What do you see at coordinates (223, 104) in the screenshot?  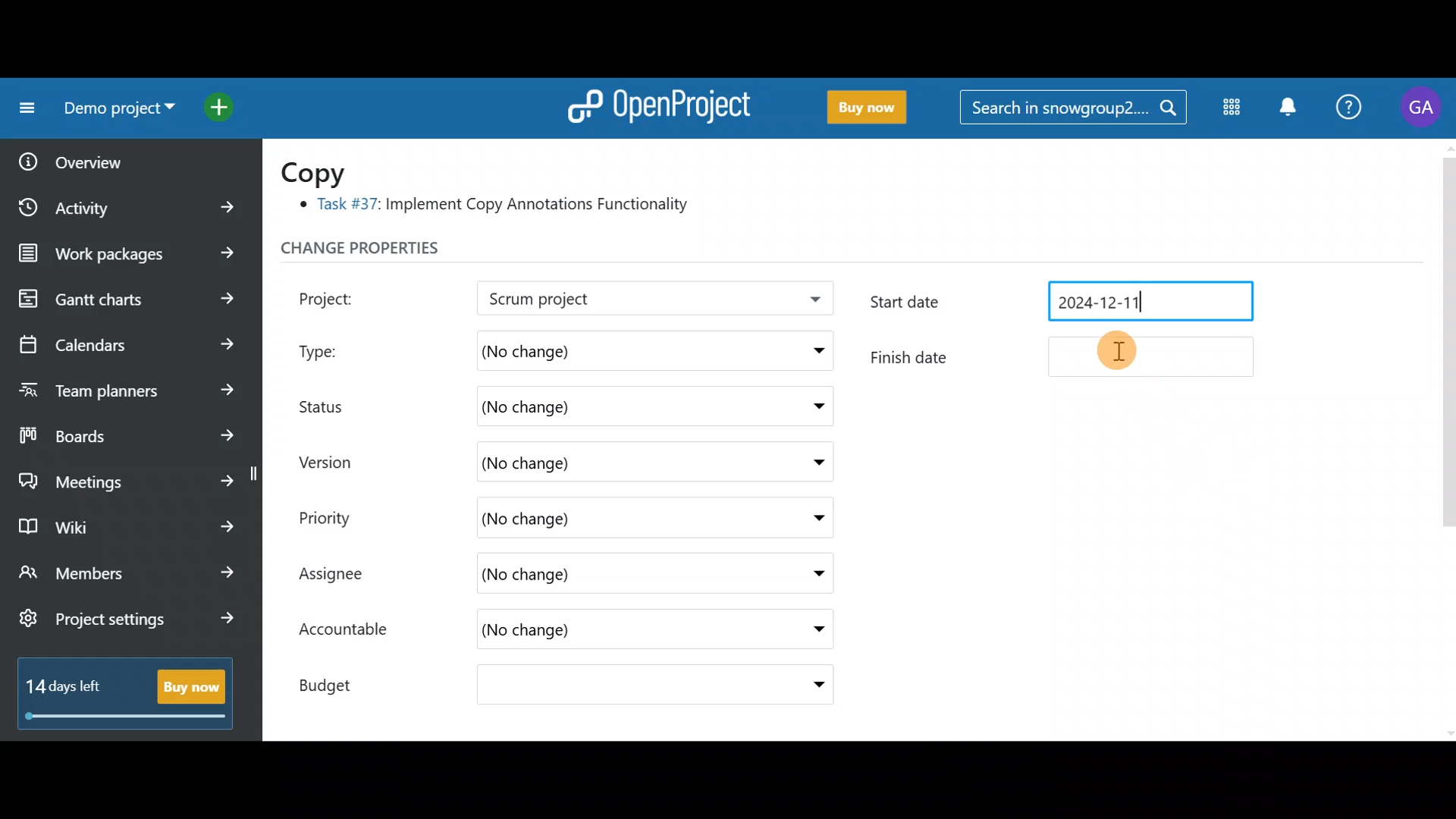 I see `Open quick add menu` at bounding box center [223, 104].